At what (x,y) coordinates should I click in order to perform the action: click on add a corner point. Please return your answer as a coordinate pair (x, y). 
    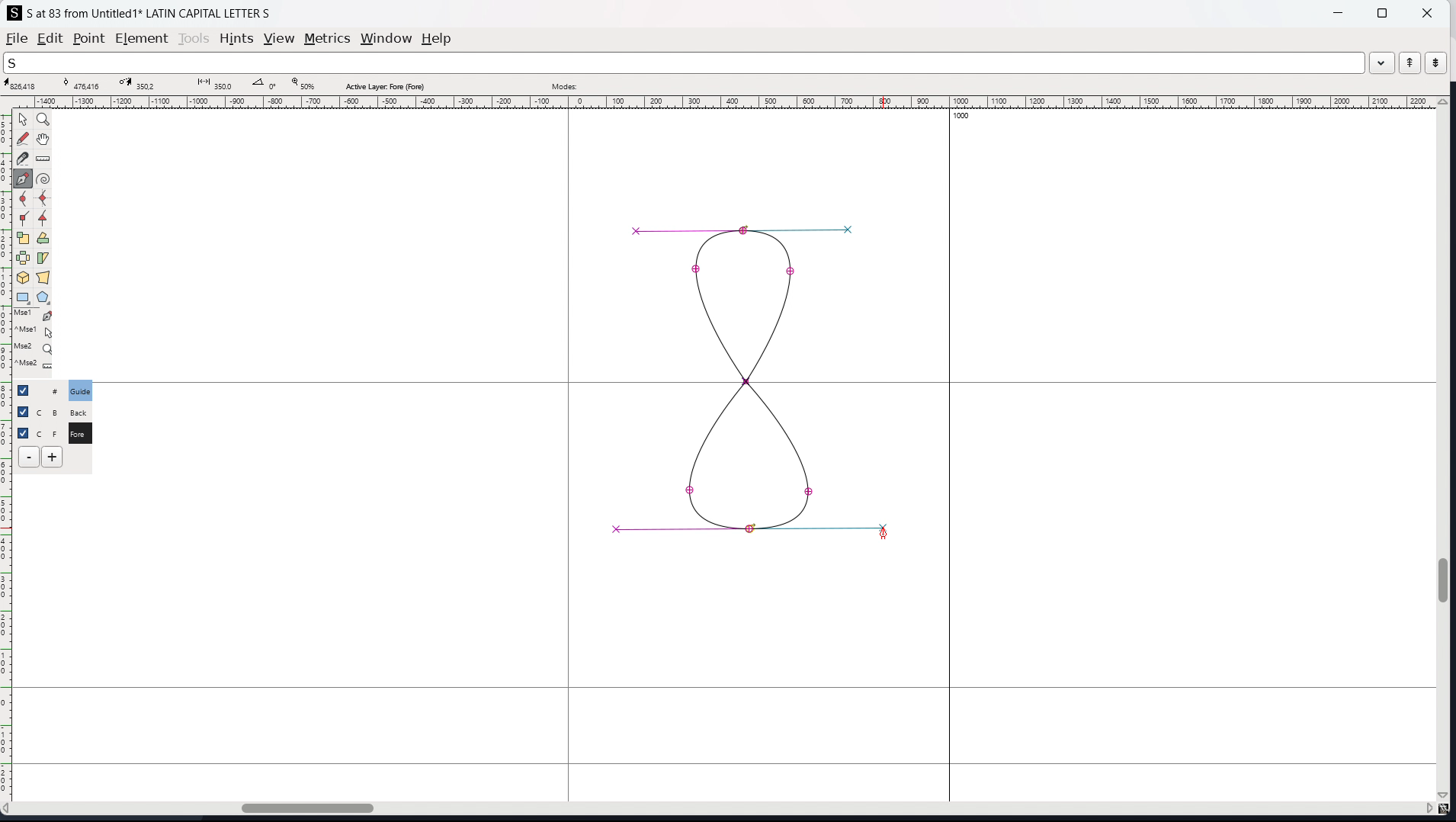
    Looking at the image, I should click on (24, 220).